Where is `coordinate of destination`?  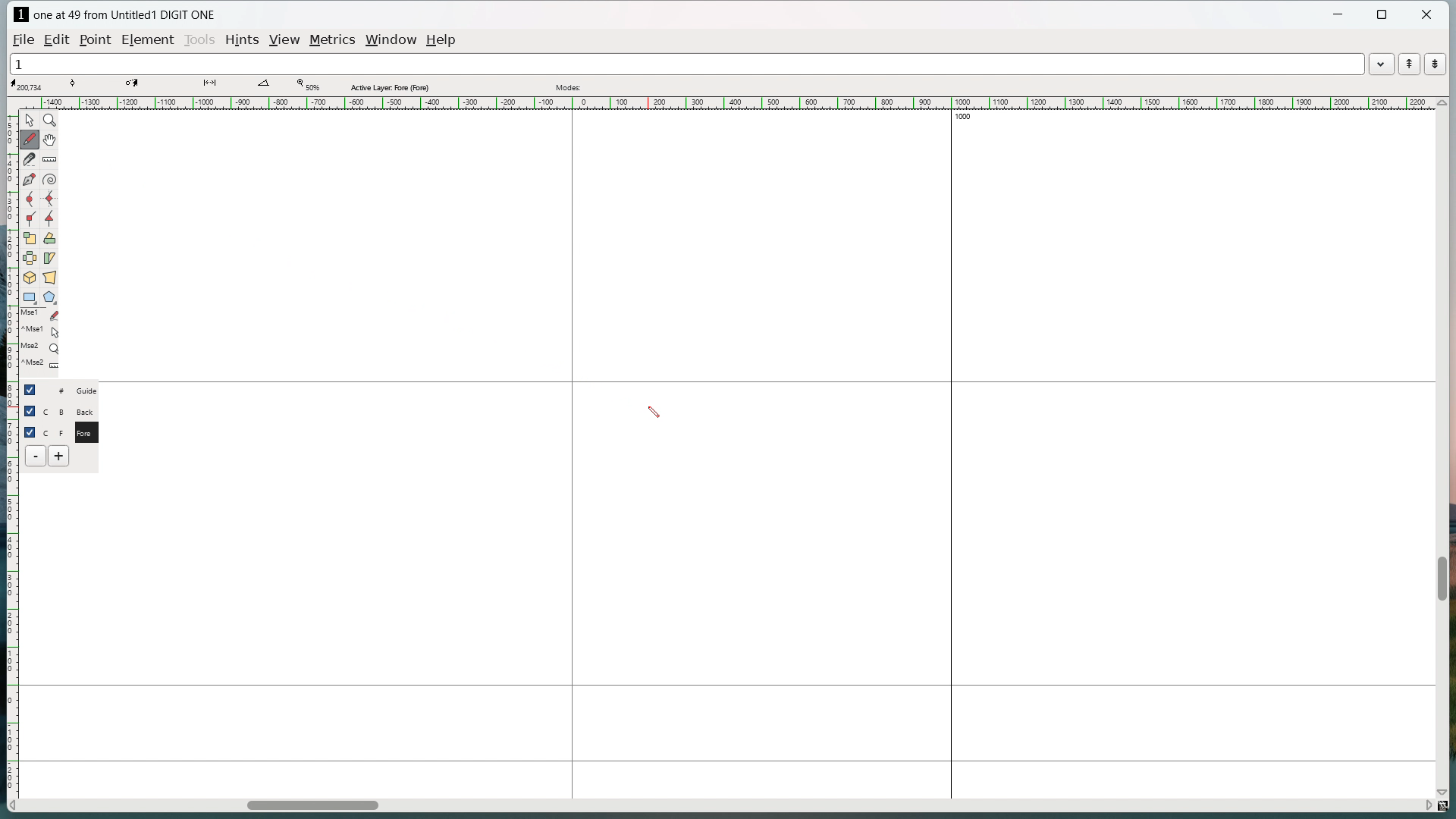 coordinate of destination is located at coordinates (134, 84).